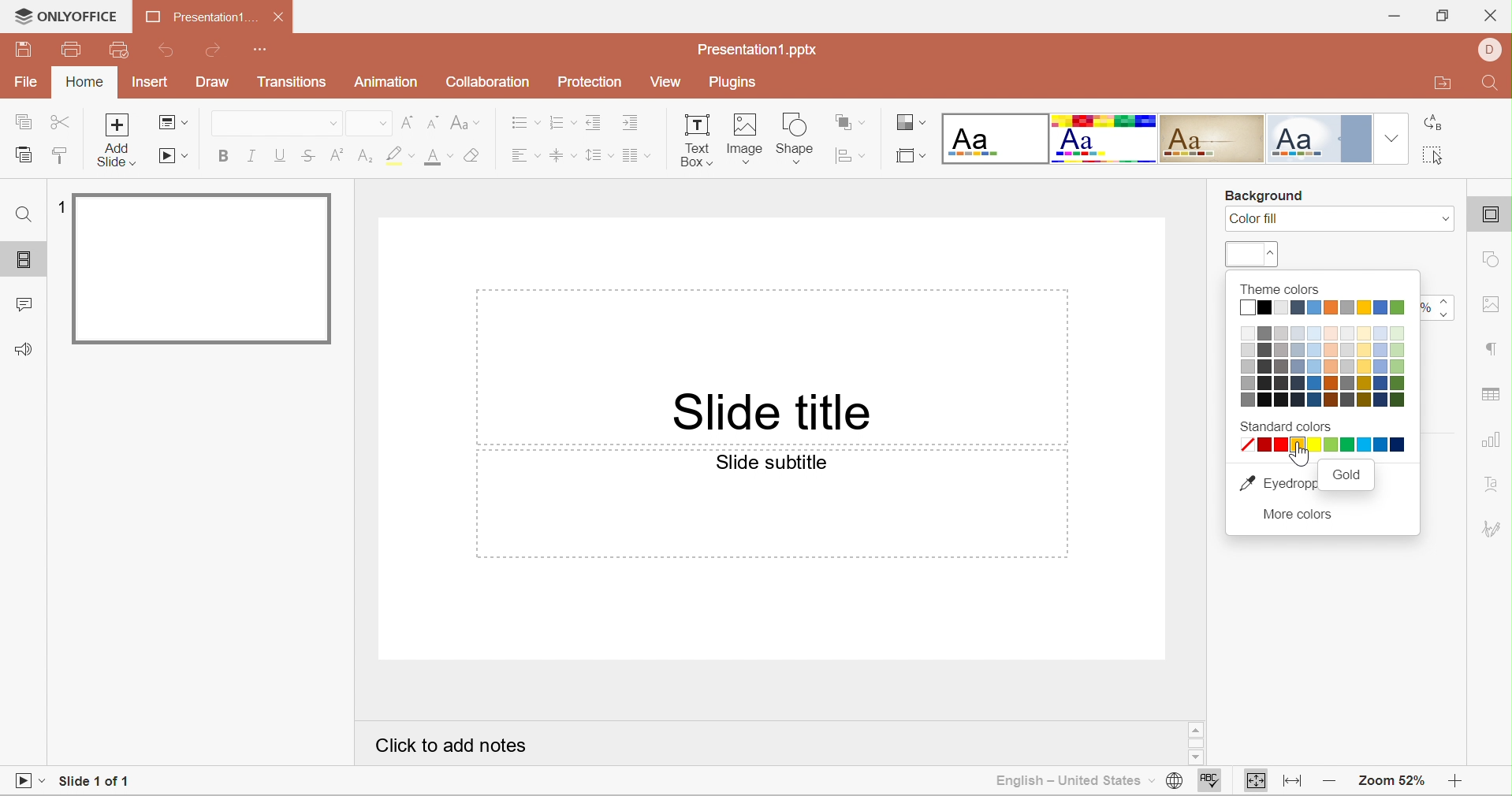 The height and width of the screenshot is (796, 1512). Describe the element at coordinates (196, 17) in the screenshot. I see `Presentation1...` at that location.